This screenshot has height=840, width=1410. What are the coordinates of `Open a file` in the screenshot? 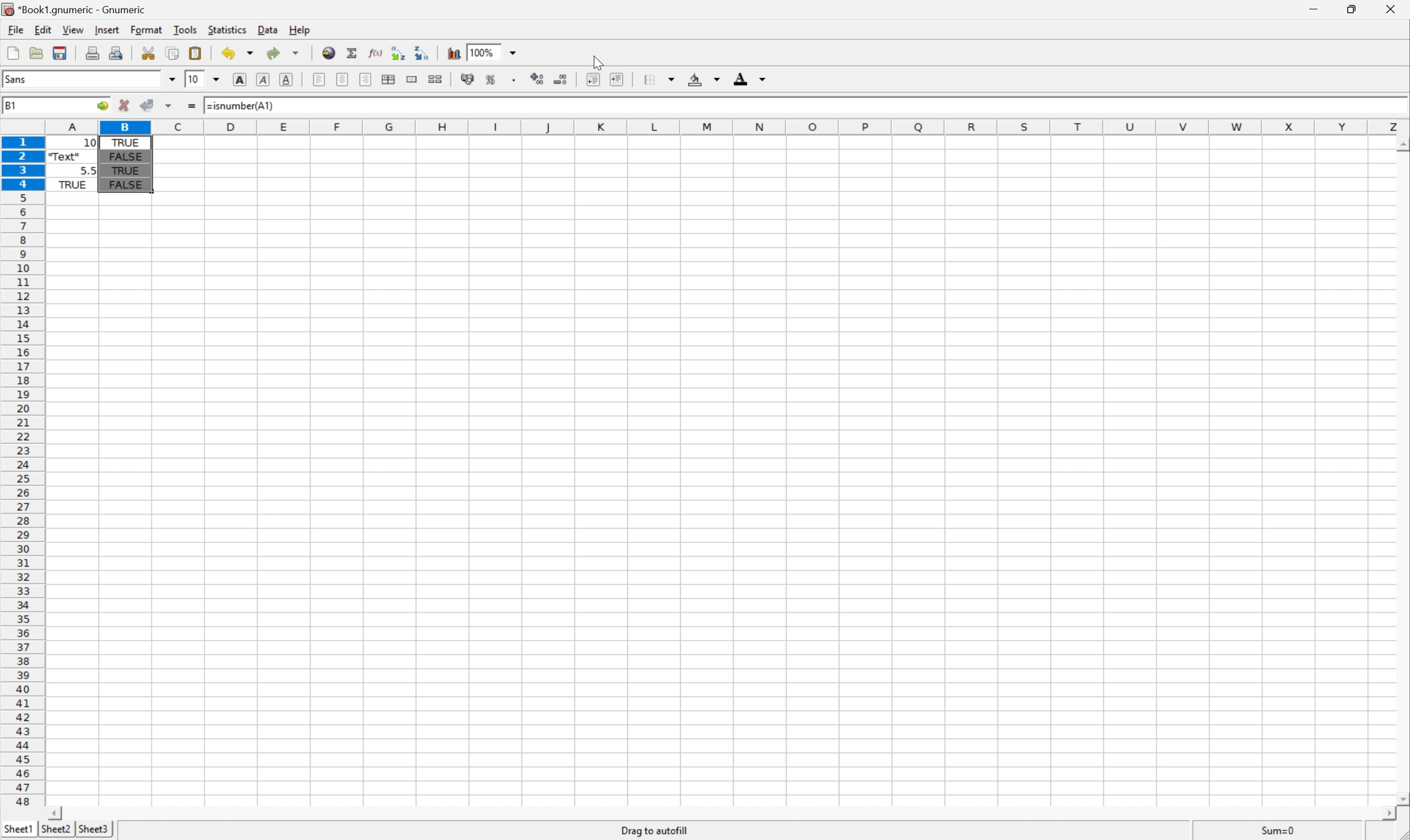 It's located at (39, 54).